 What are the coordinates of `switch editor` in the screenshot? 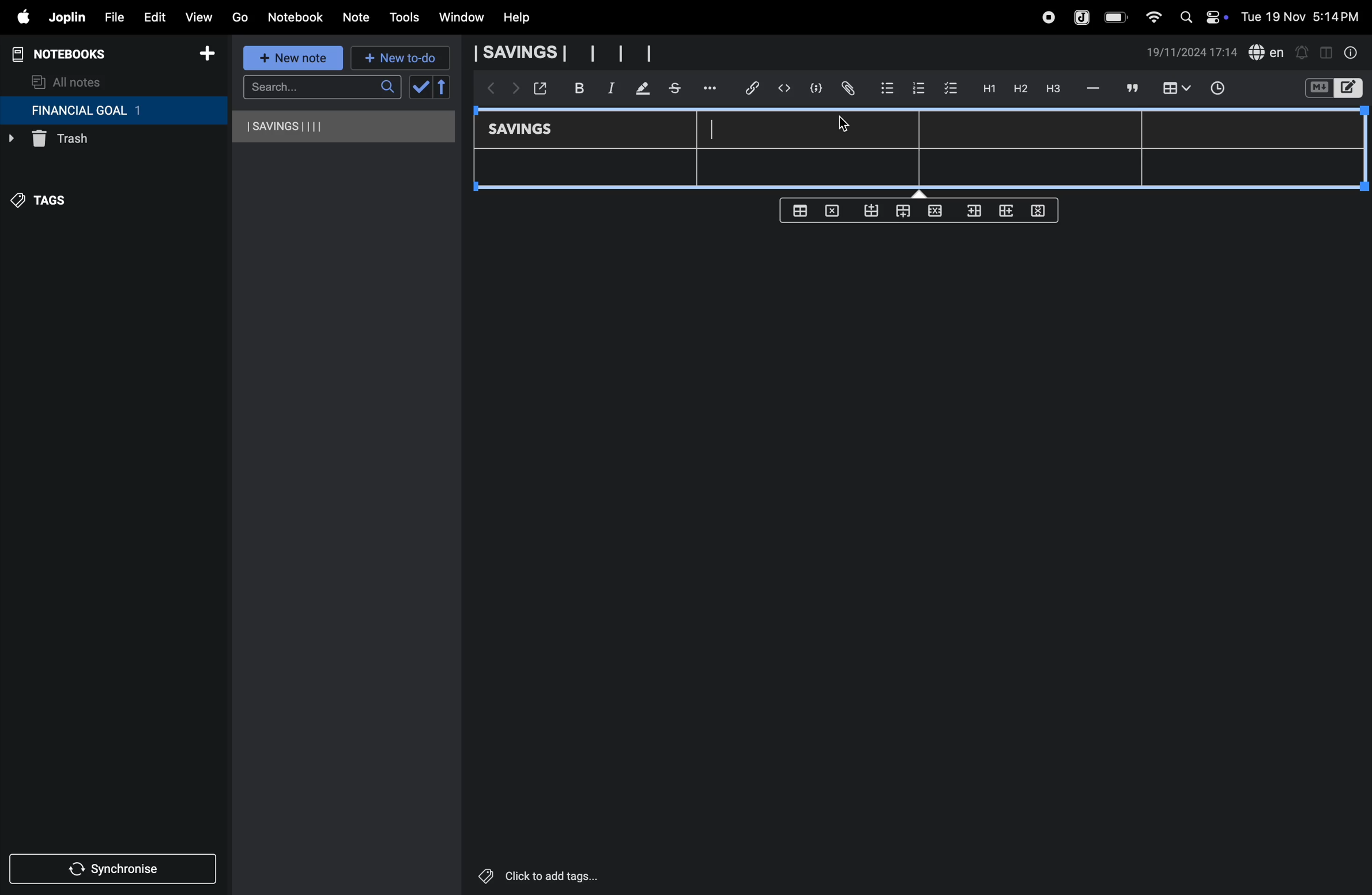 It's located at (1332, 88).